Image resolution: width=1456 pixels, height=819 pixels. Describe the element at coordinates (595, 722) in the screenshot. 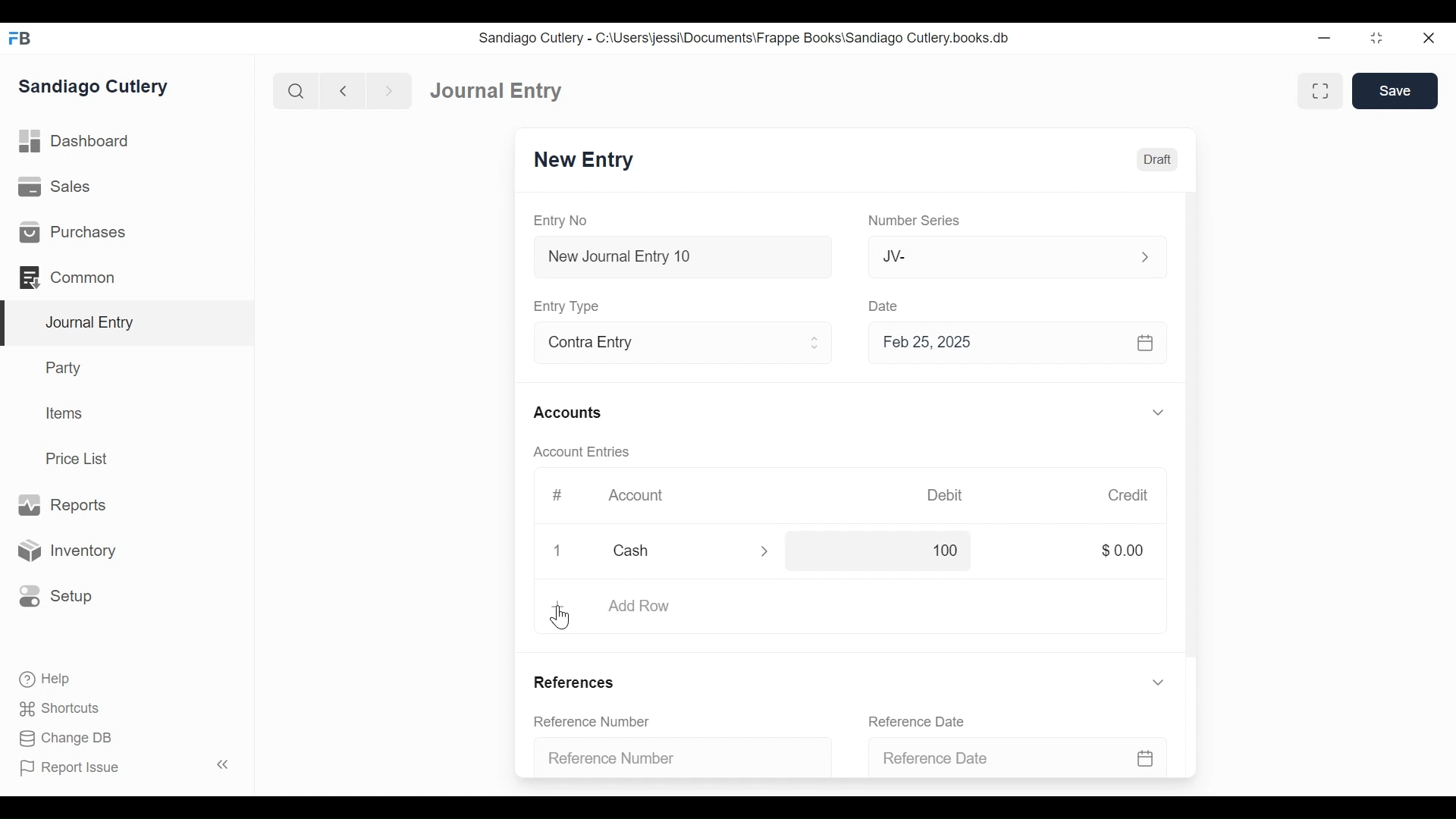

I see `Reference Number` at that location.